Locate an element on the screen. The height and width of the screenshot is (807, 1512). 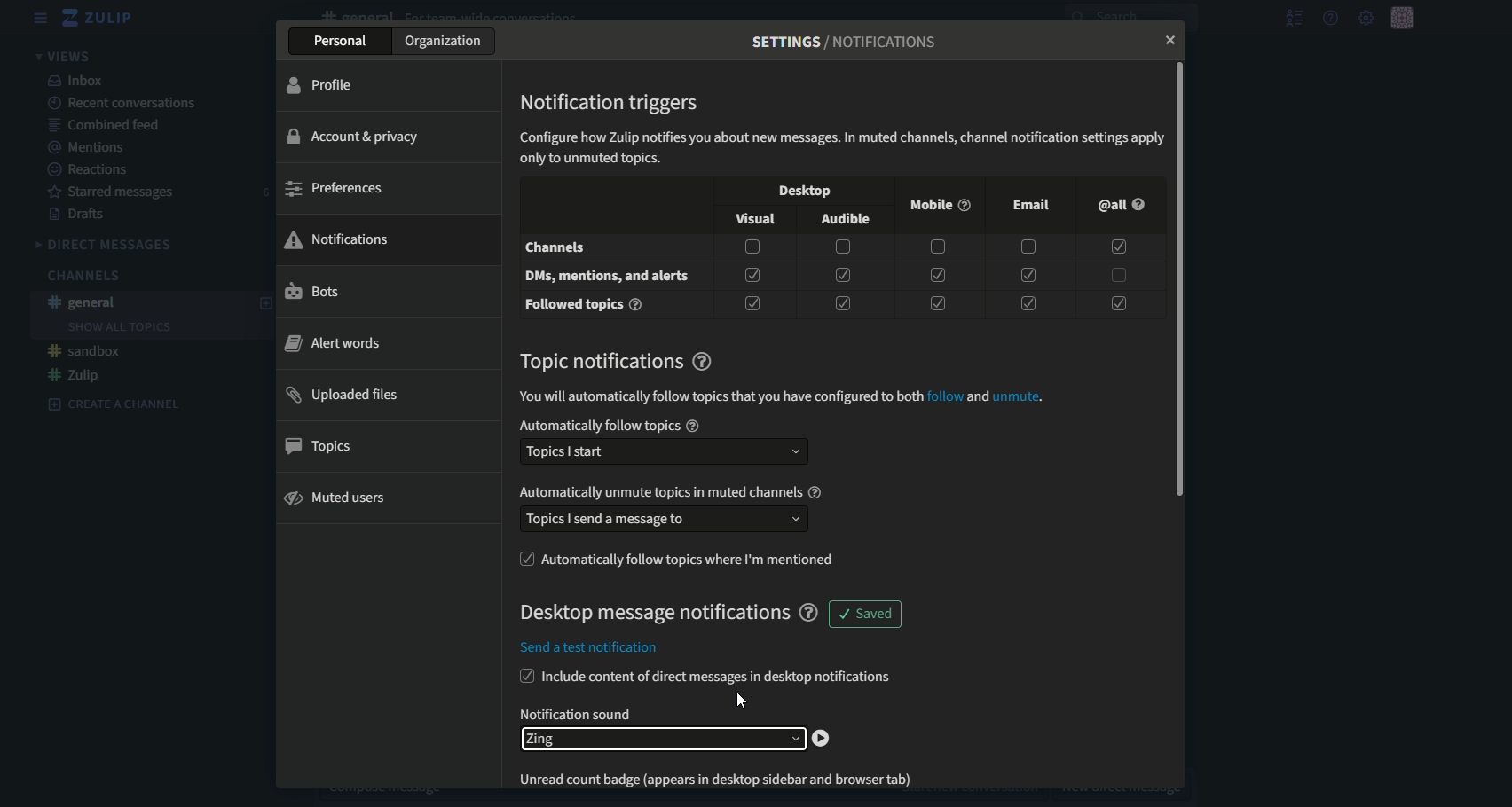
text is located at coordinates (610, 360).